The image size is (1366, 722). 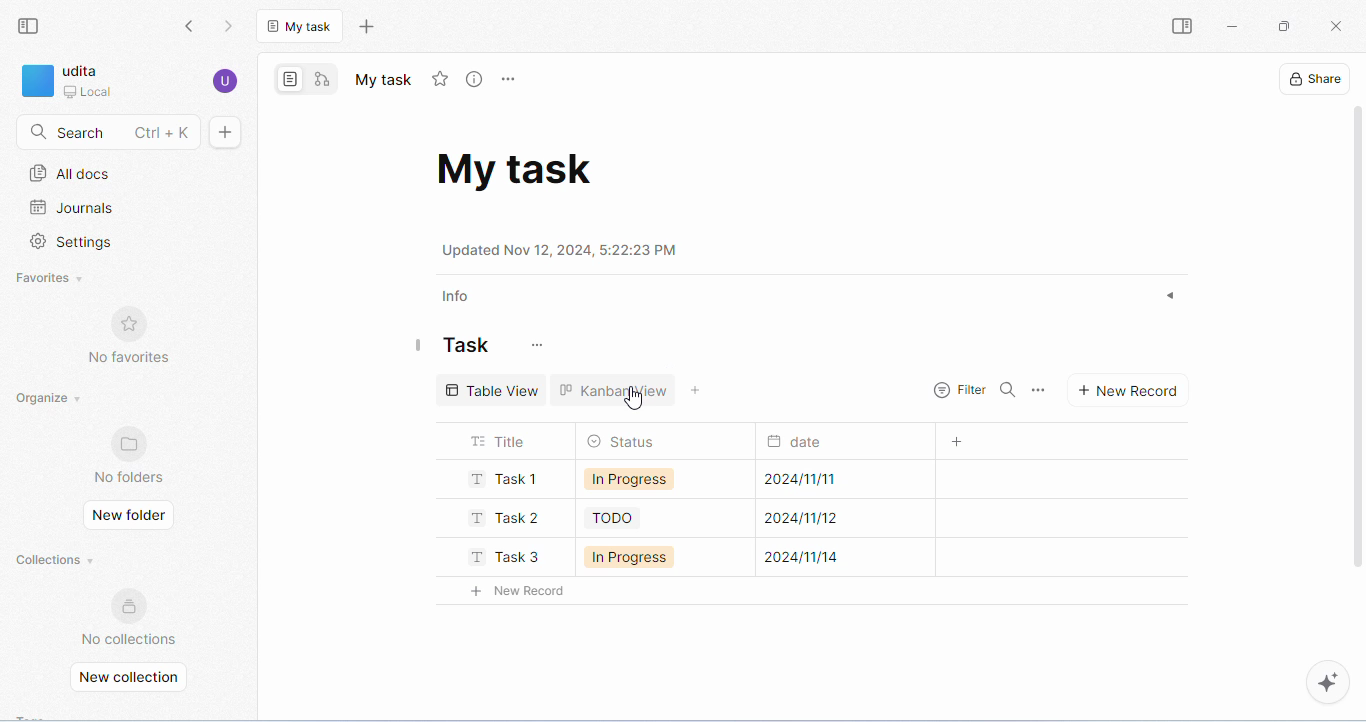 I want to click on no favorites, so click(x=131, y=338).